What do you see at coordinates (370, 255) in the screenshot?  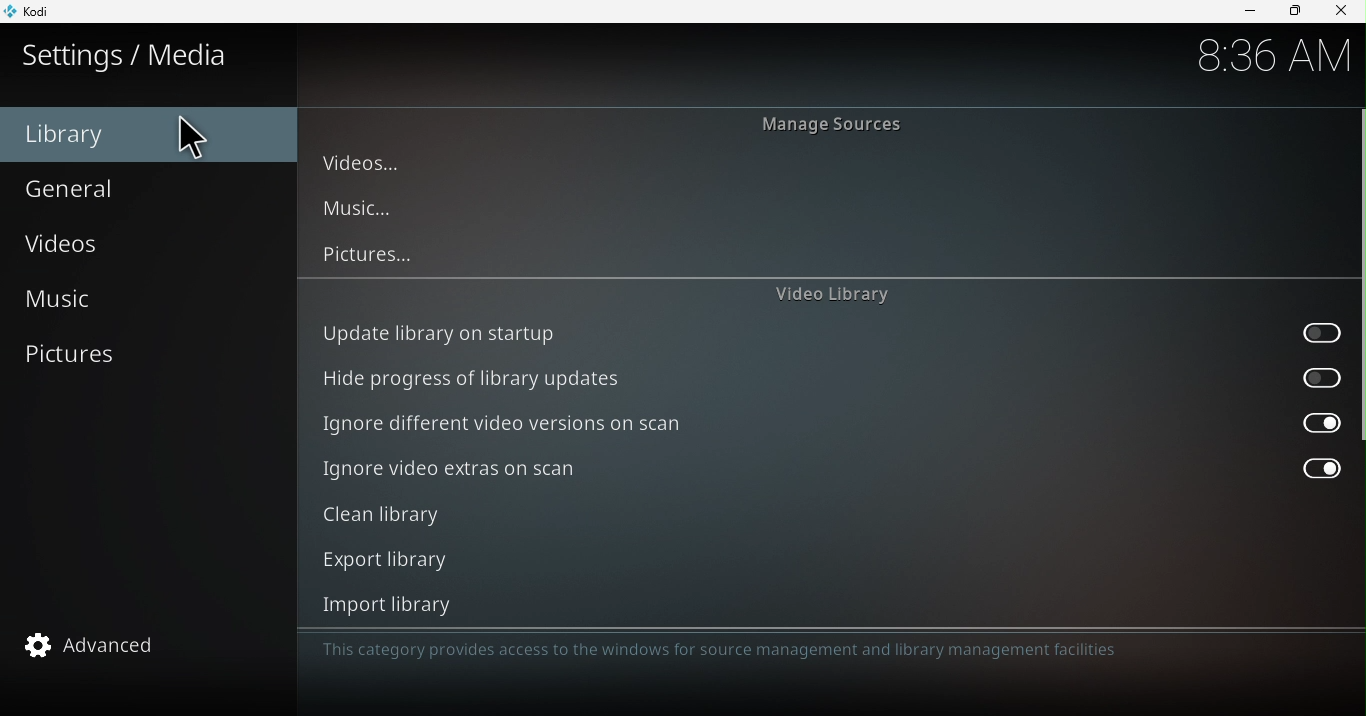 I see `Pictures` at bounding box center [370, 255].